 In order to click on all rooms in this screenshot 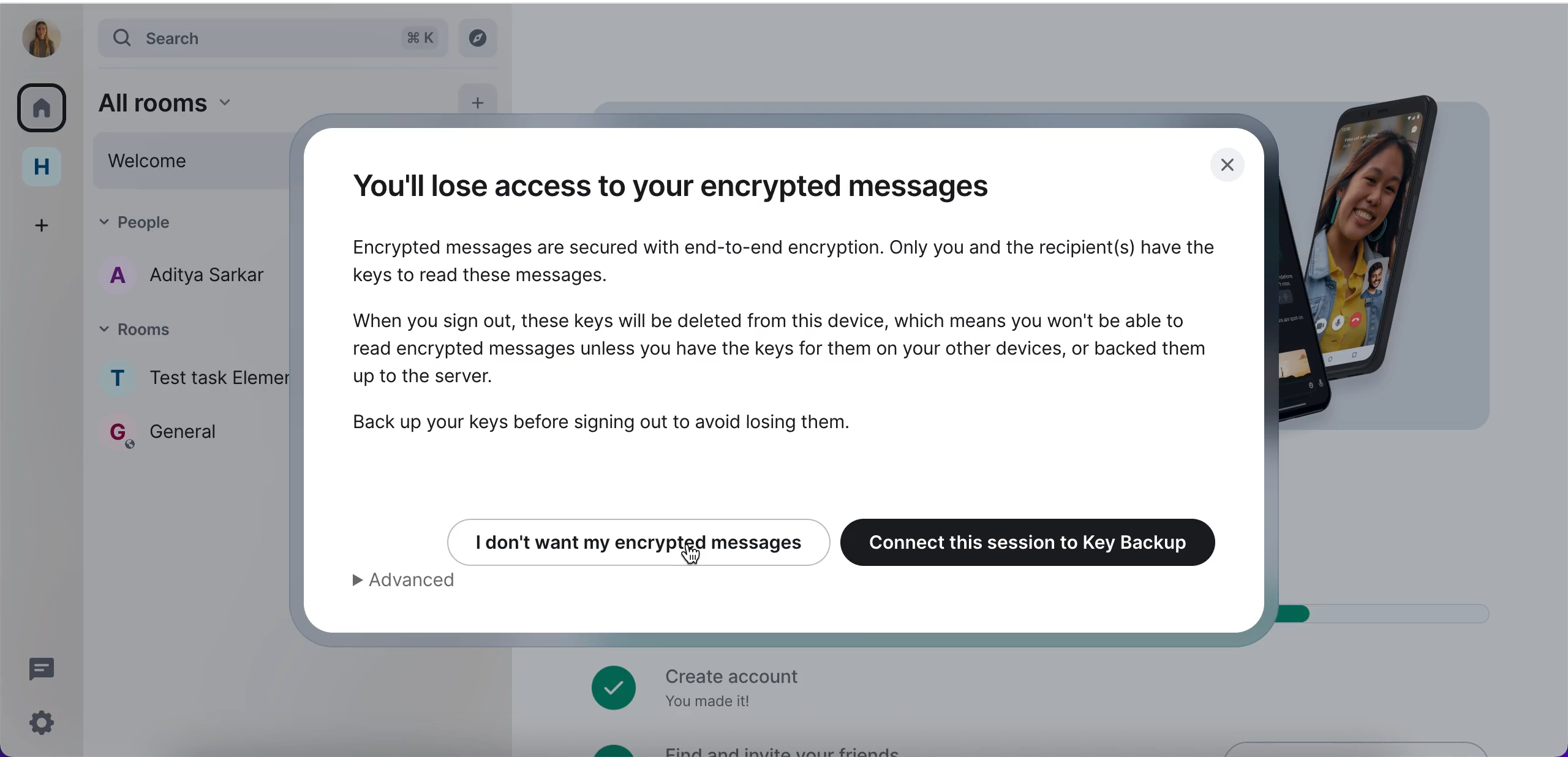, I will do `click(266, 100)`.